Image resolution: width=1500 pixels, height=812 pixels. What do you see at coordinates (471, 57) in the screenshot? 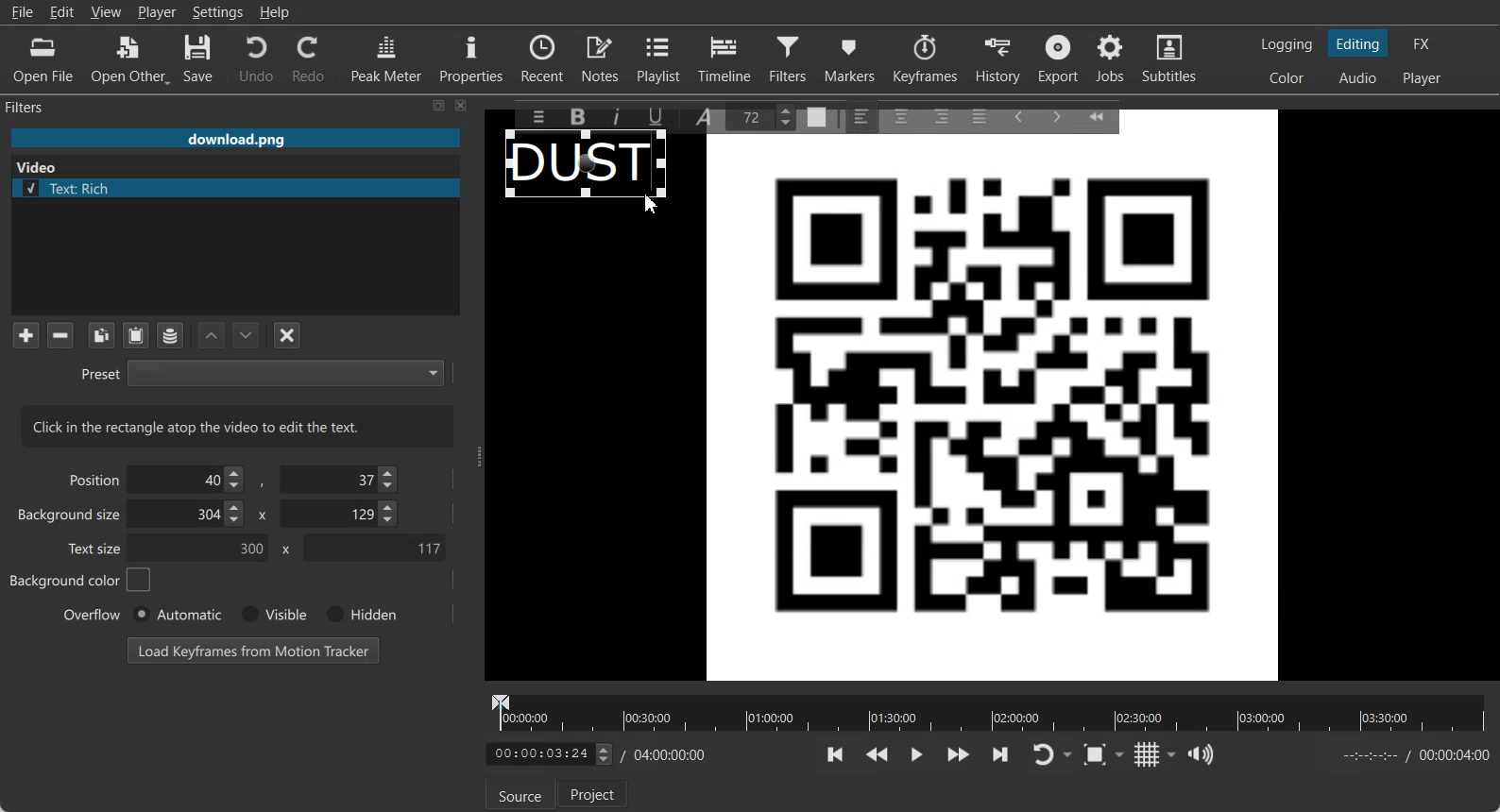
I see `Properties` at bounding box center [471, 57].